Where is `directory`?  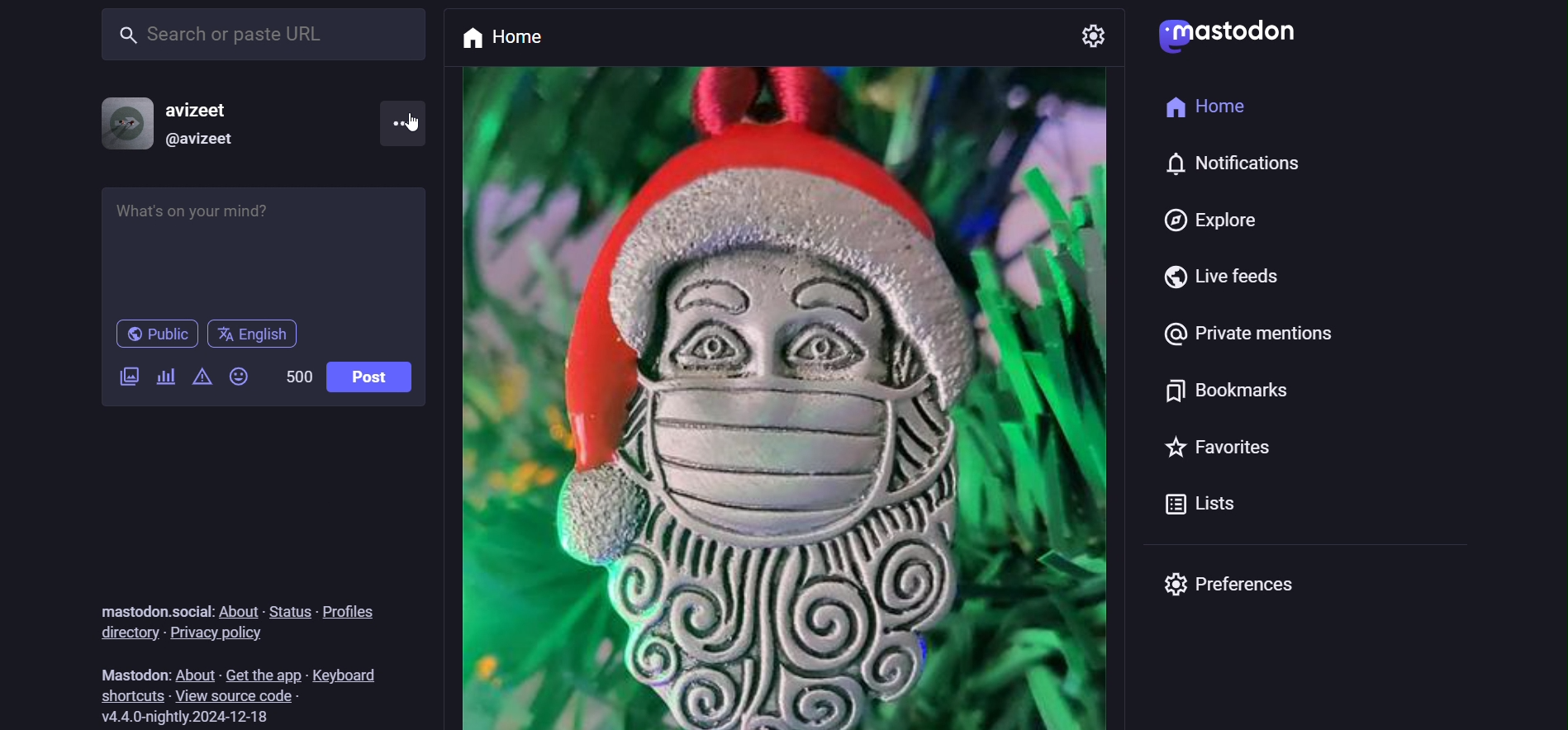 directory is located at coordinates (125, 634).